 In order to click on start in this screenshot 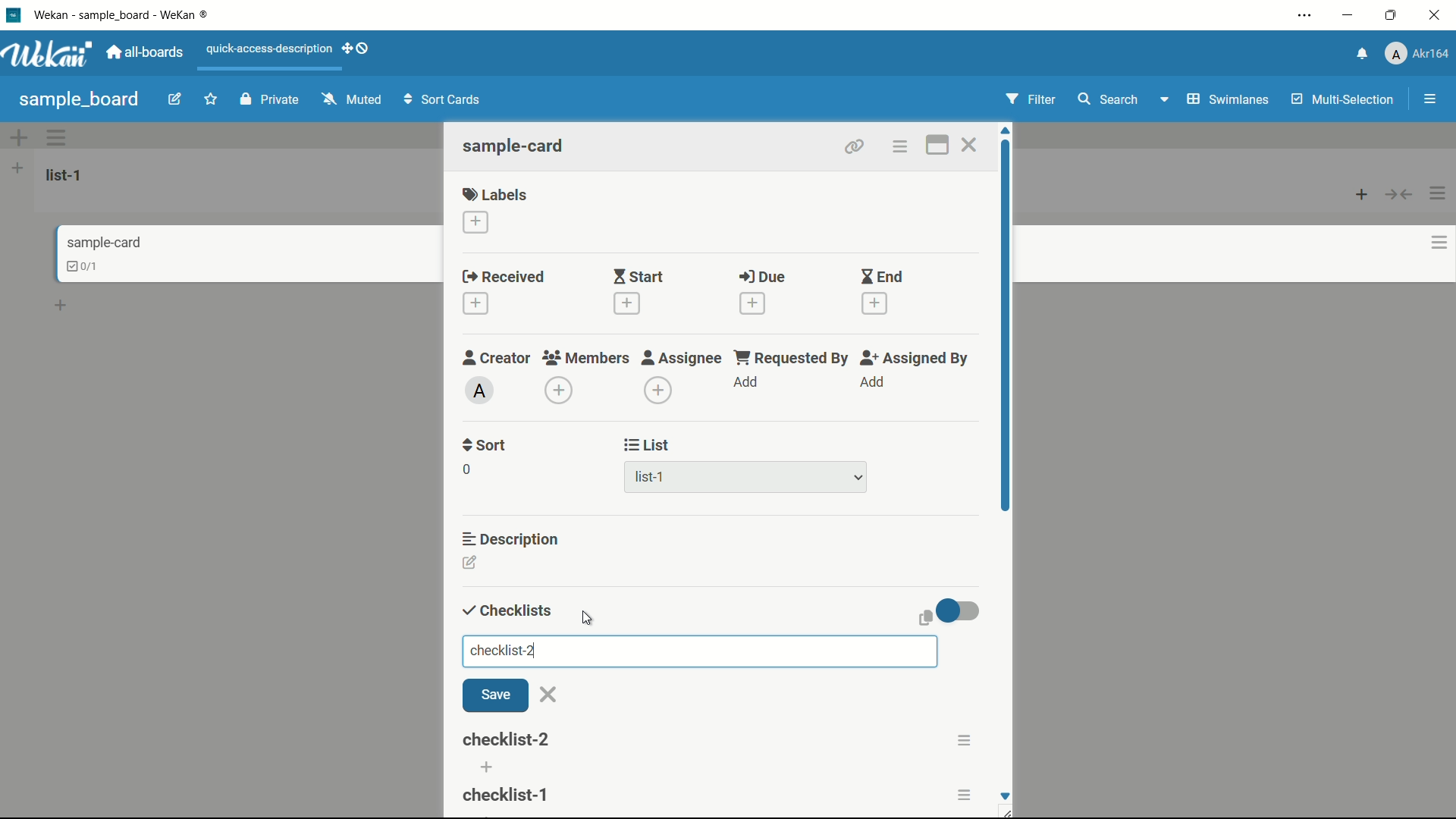, I will do `click(638, 278)`.